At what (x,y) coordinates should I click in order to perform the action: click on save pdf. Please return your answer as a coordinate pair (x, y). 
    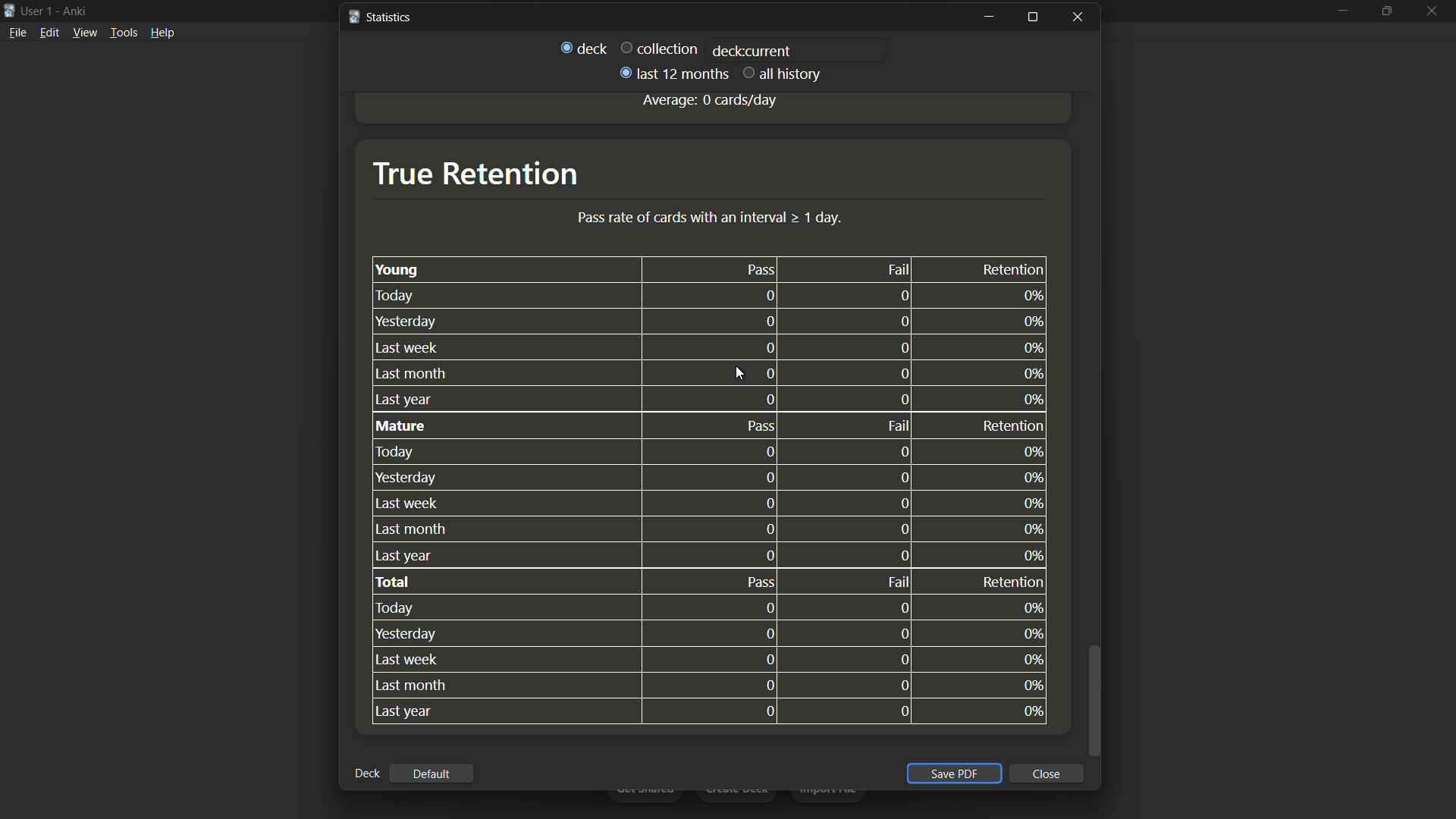
    Looking at the image, I should click on (953, 774).